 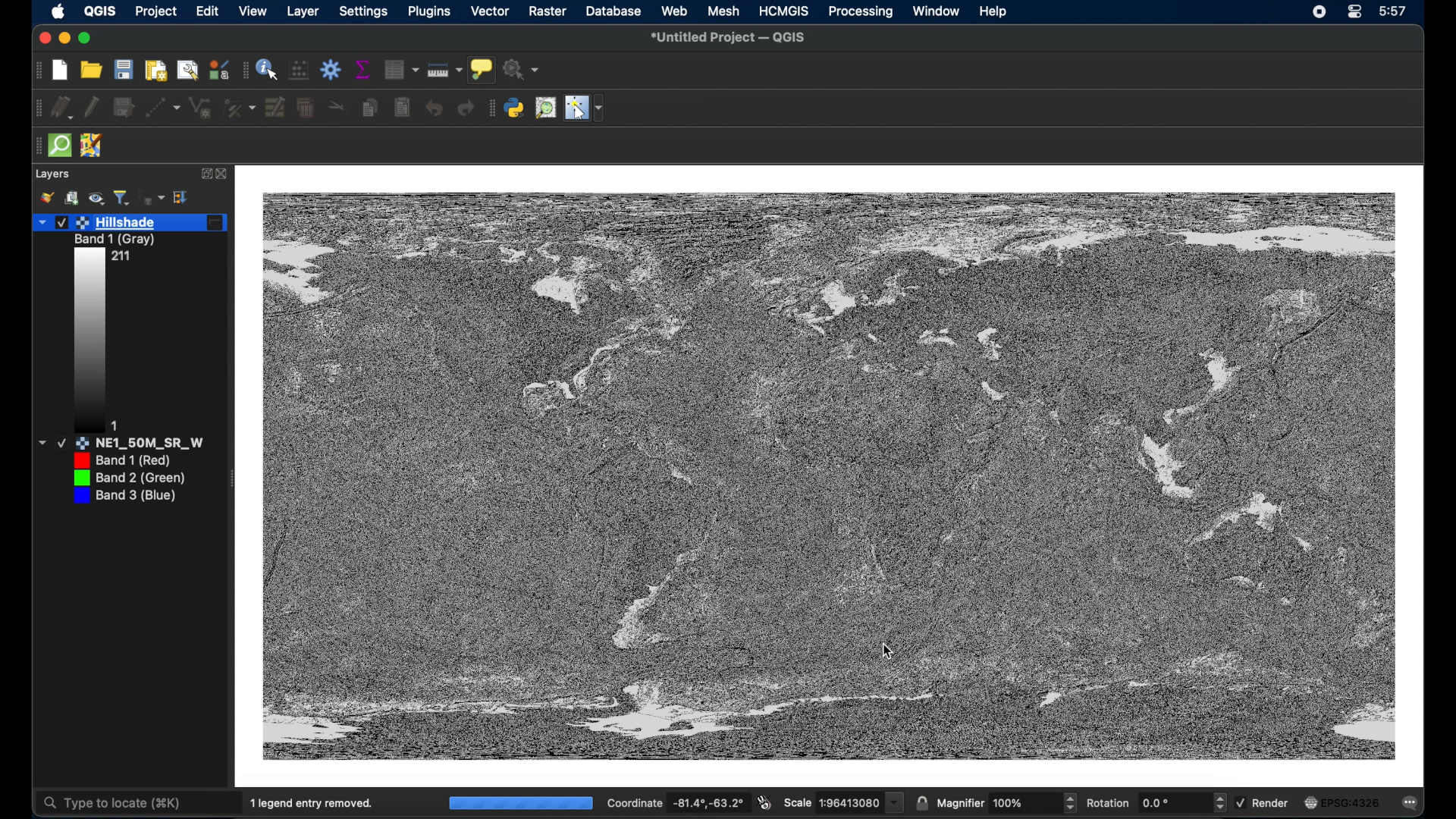 I want to click on edit, so click(x=209, y=11).